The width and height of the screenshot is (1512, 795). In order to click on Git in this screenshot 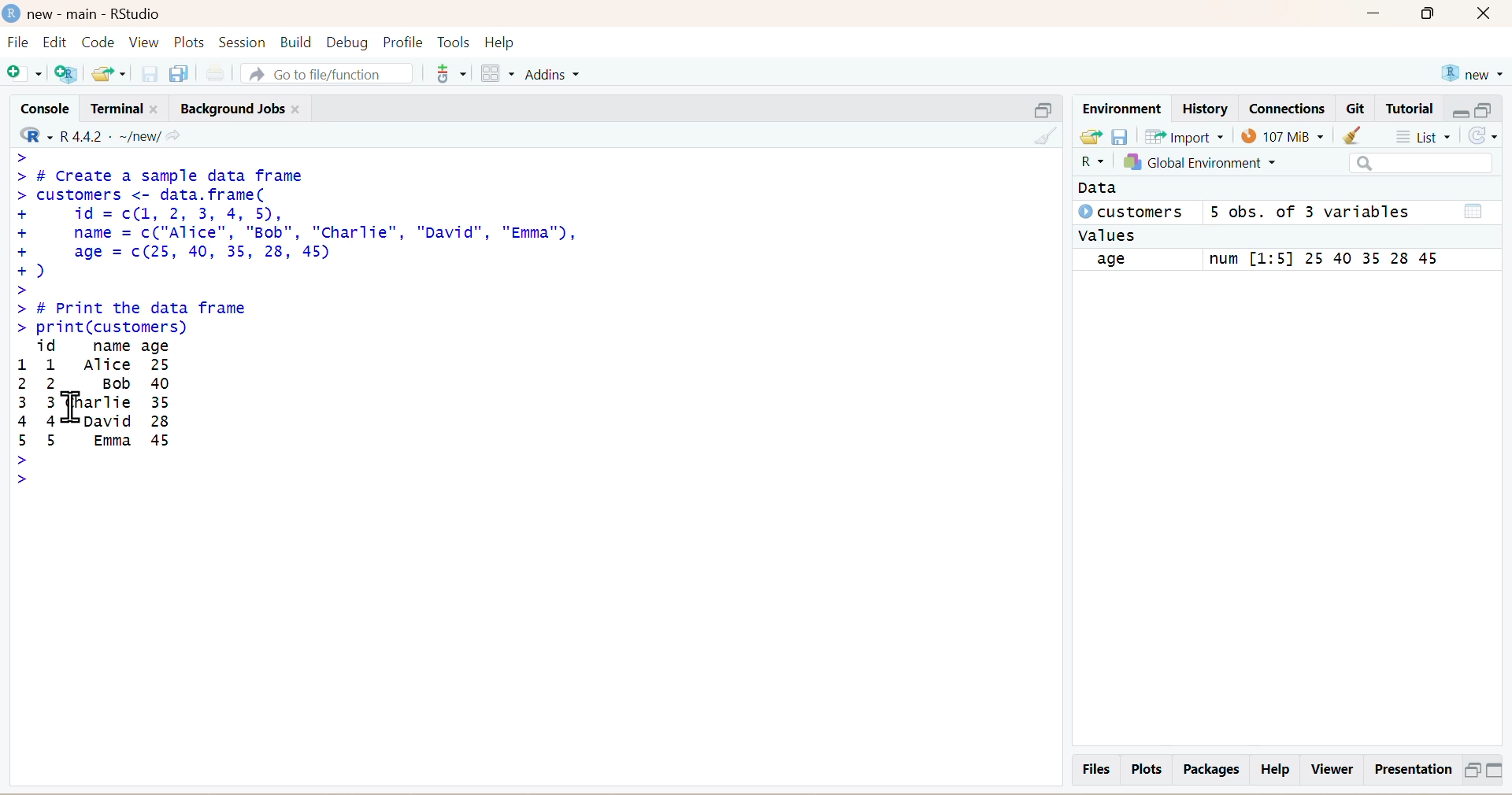, I will do `click(1357, 109)`.